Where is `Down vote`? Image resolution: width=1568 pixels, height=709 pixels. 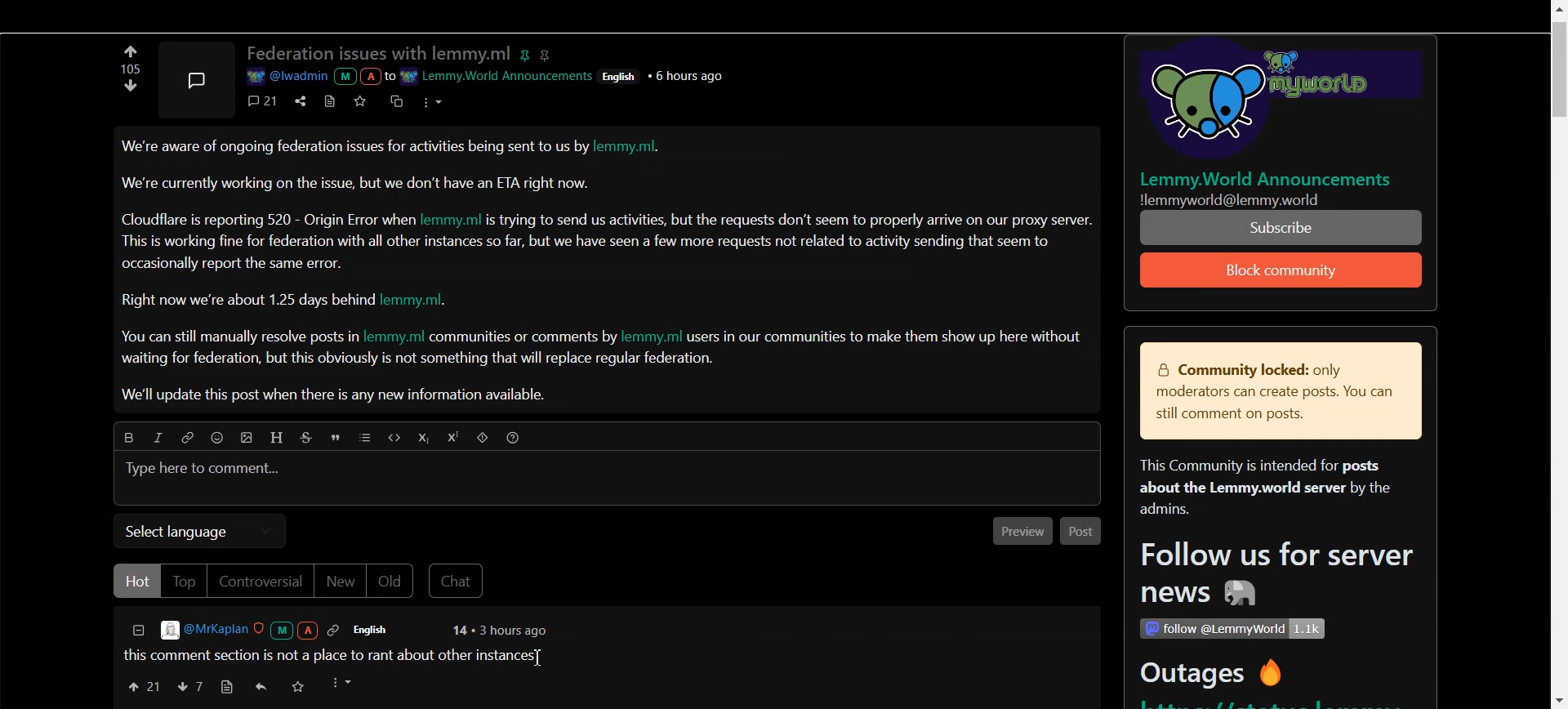 Down vote is located at coordinates (131, 51).